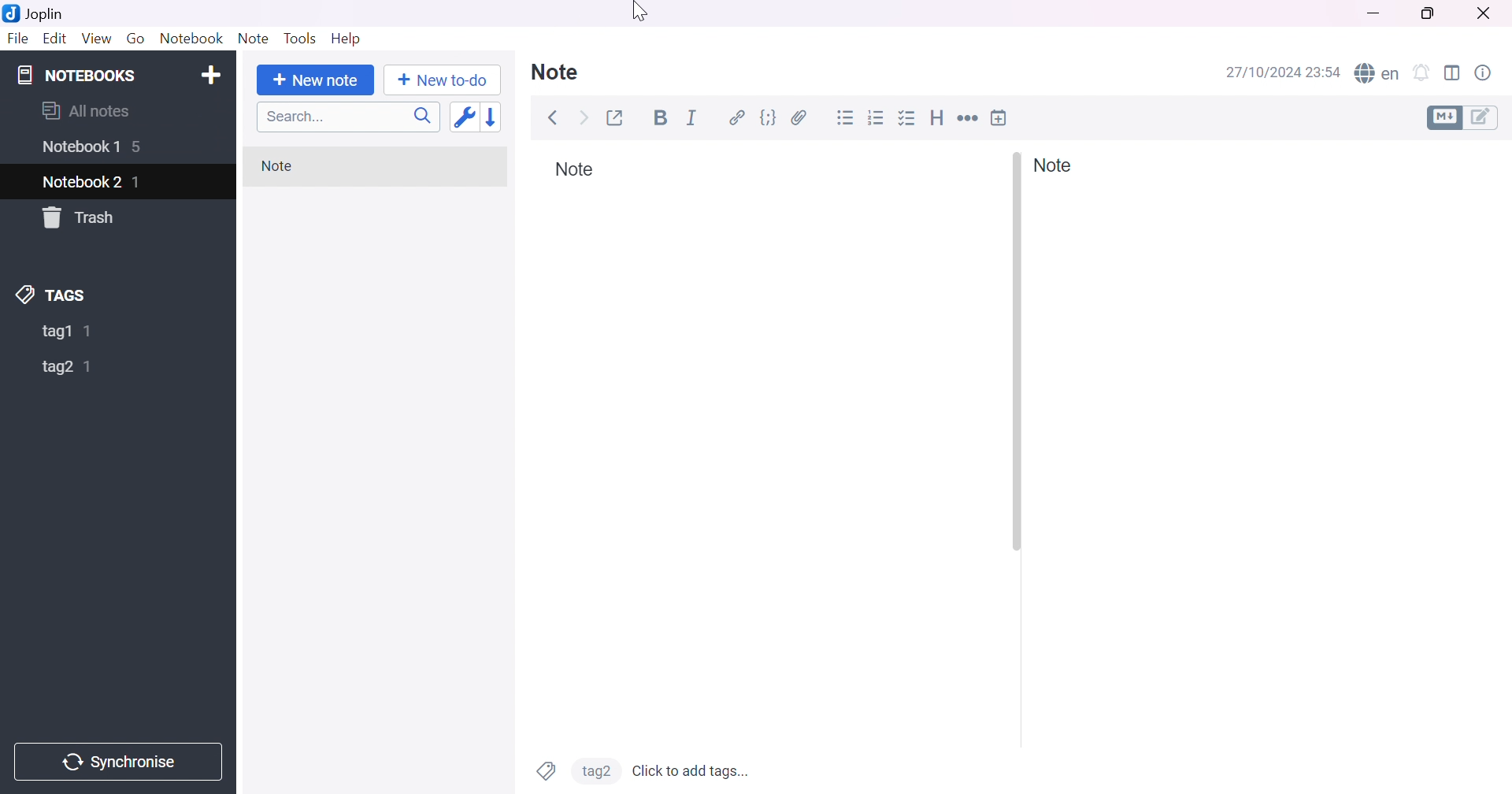  Describe the element at coordinates (318, 78) in the screenshot. I see `+ New note` at that location.